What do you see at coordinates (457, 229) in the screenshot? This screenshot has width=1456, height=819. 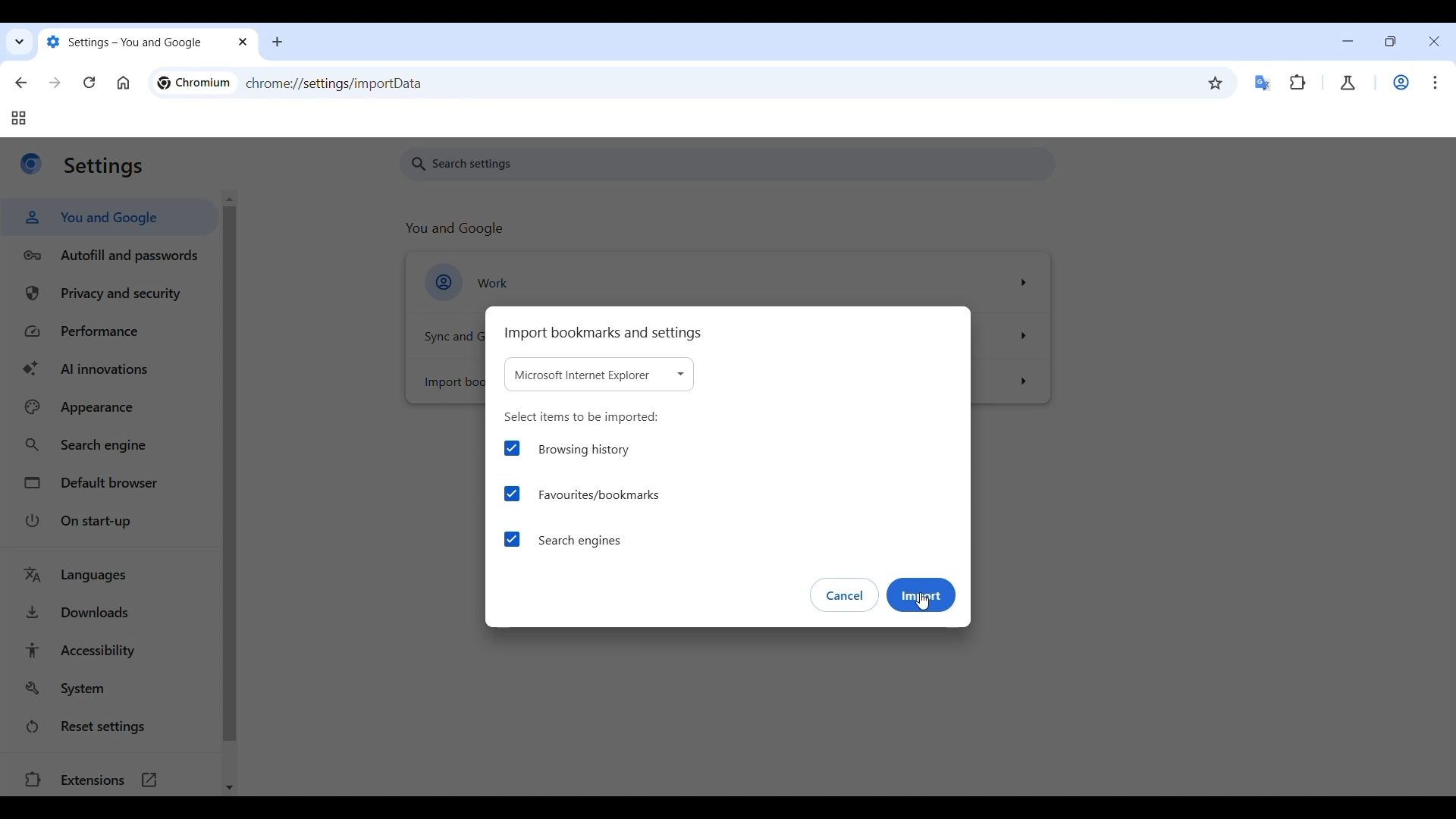 I see `you and google` at bounding box center [457, 229].